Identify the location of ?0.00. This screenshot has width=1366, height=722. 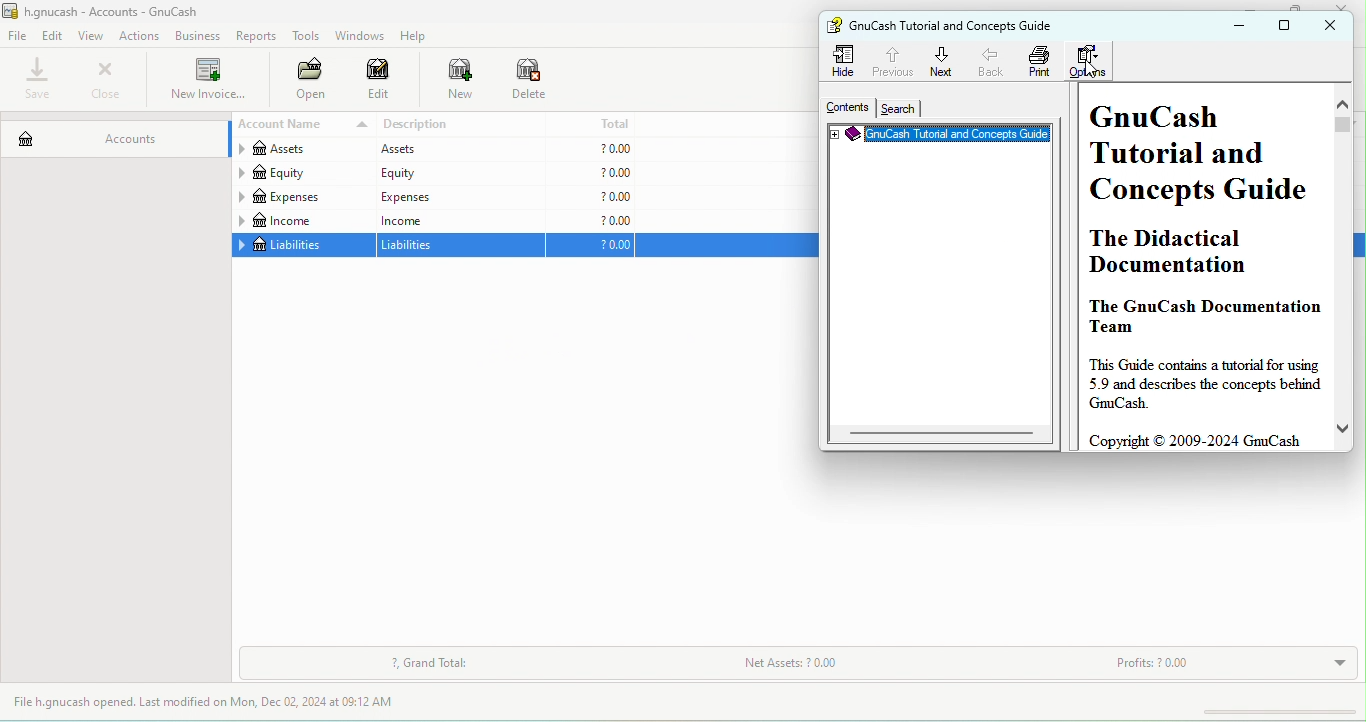
(595, 246).